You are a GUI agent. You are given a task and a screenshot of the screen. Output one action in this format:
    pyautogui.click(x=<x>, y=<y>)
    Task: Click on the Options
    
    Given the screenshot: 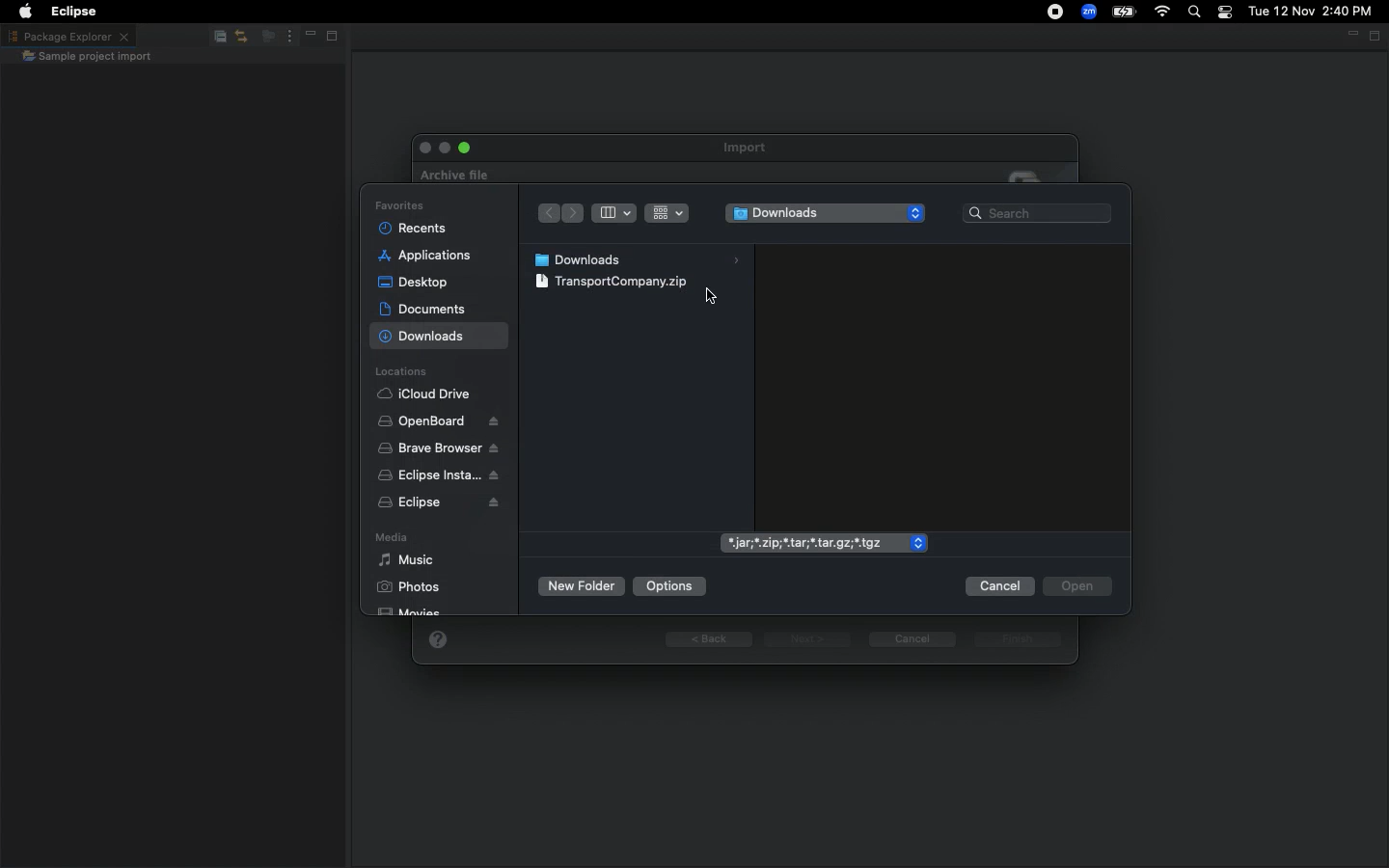 What is the action you would take?
    pyautogui.click(x=669, y=584)
    